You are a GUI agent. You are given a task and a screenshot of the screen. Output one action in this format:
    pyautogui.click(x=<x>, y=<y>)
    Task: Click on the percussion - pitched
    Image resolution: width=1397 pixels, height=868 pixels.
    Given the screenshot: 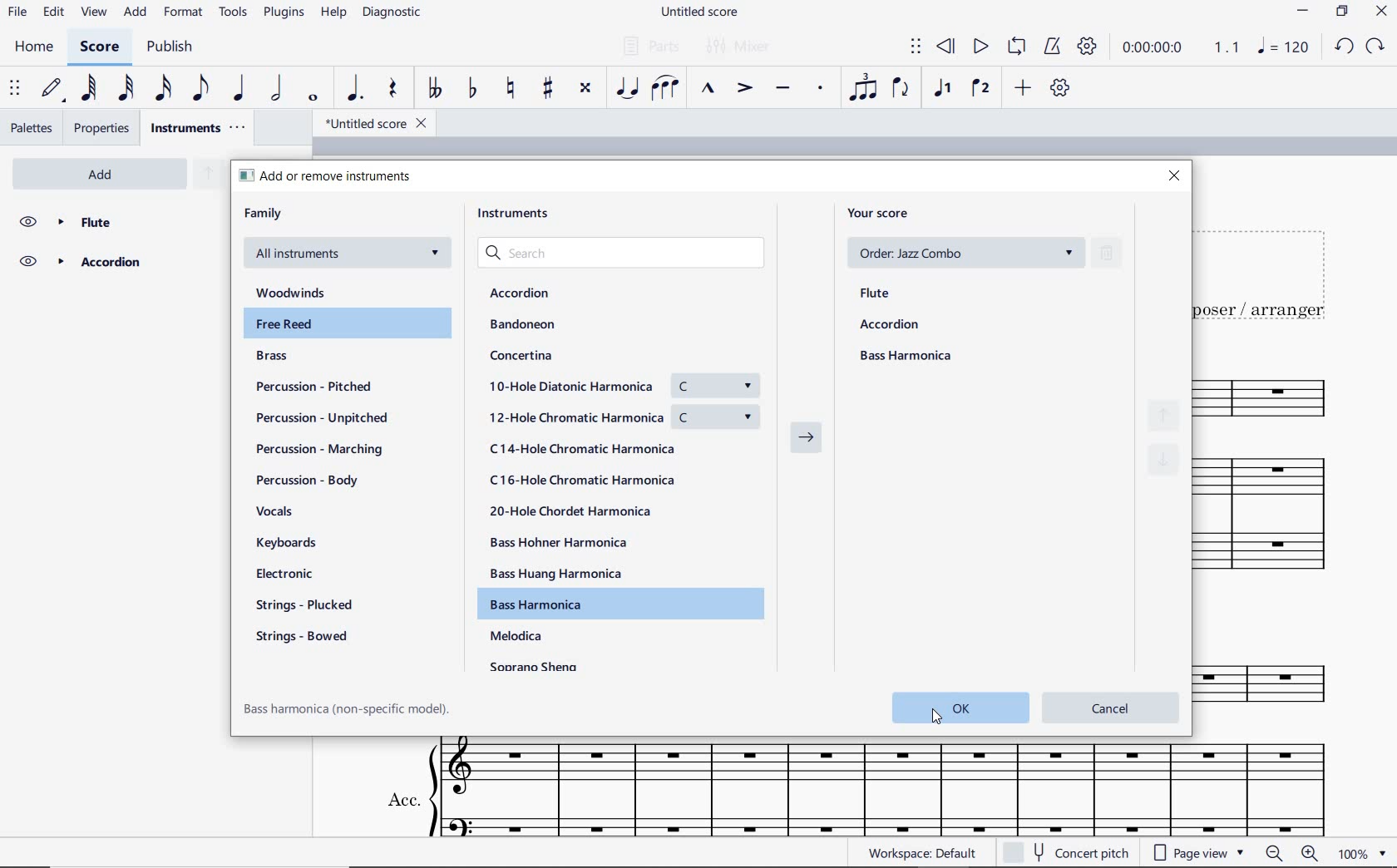 What is the action you would take?
    pyautogui.click(x=313, y=386)
    